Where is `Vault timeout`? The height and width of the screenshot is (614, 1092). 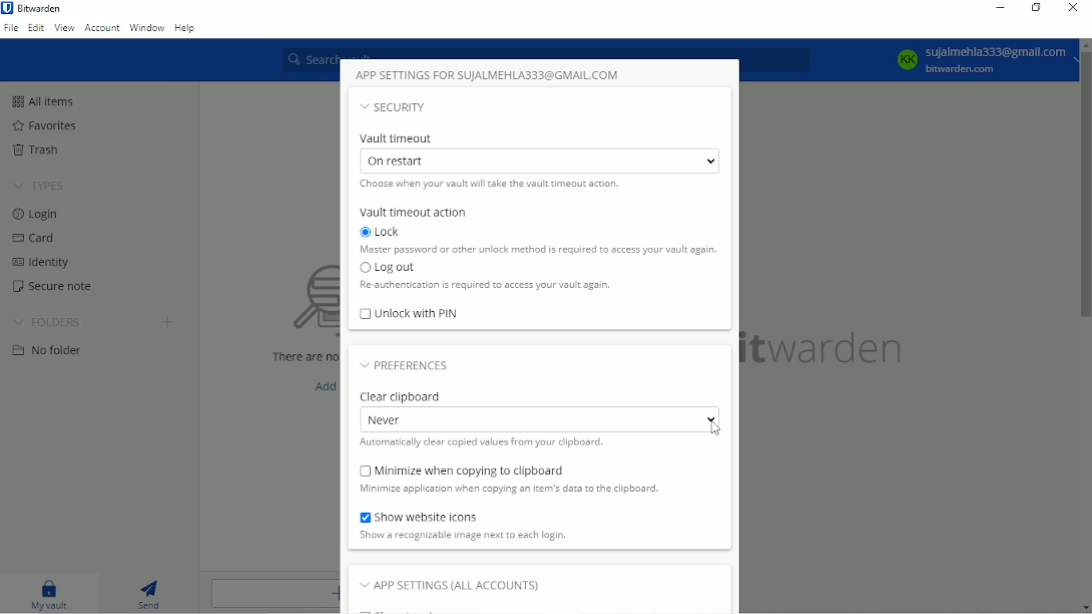
Vault timeout is located at coordinates (403, 138).